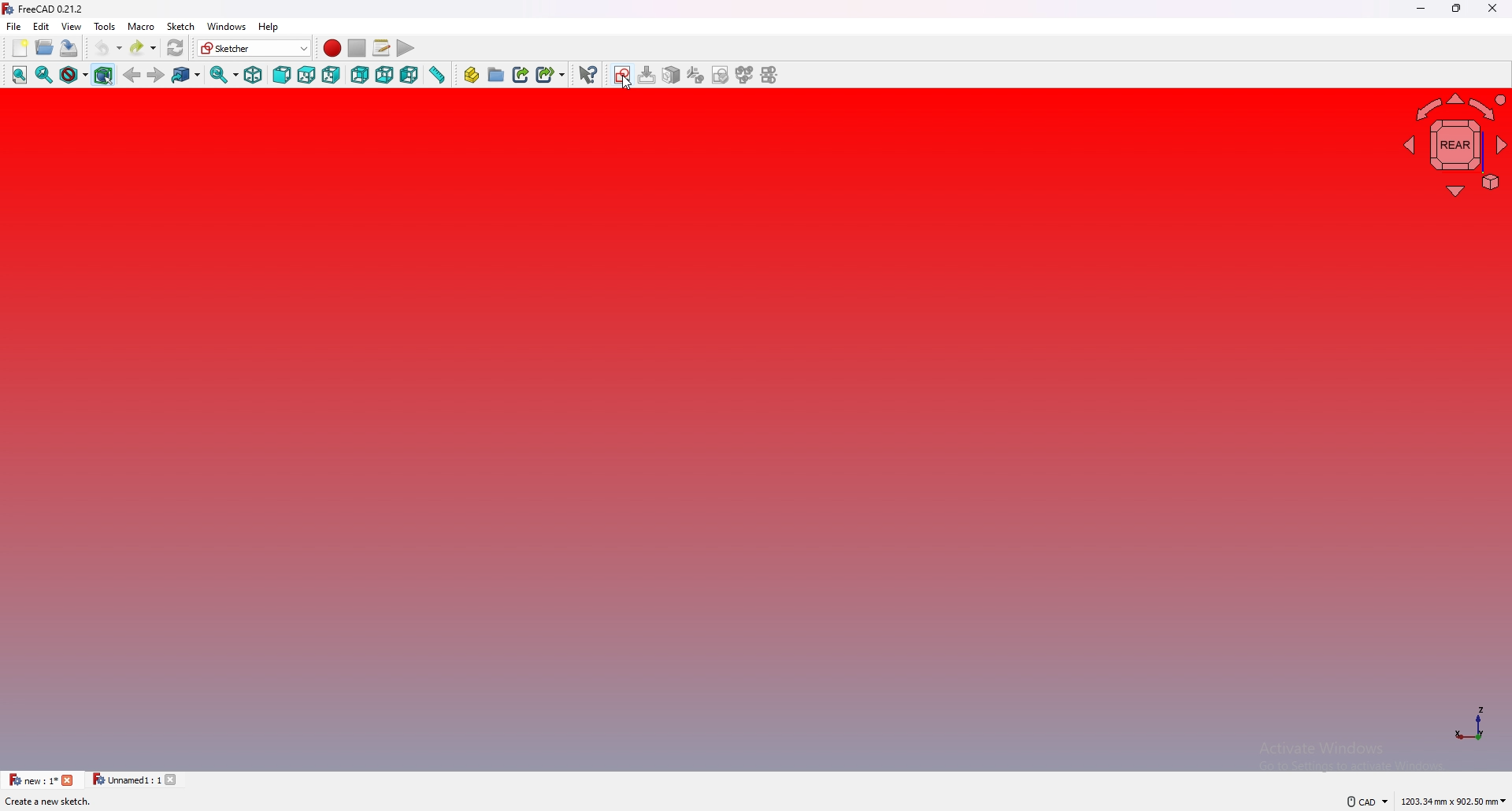  I want to click on isometric, so click(254, 75).